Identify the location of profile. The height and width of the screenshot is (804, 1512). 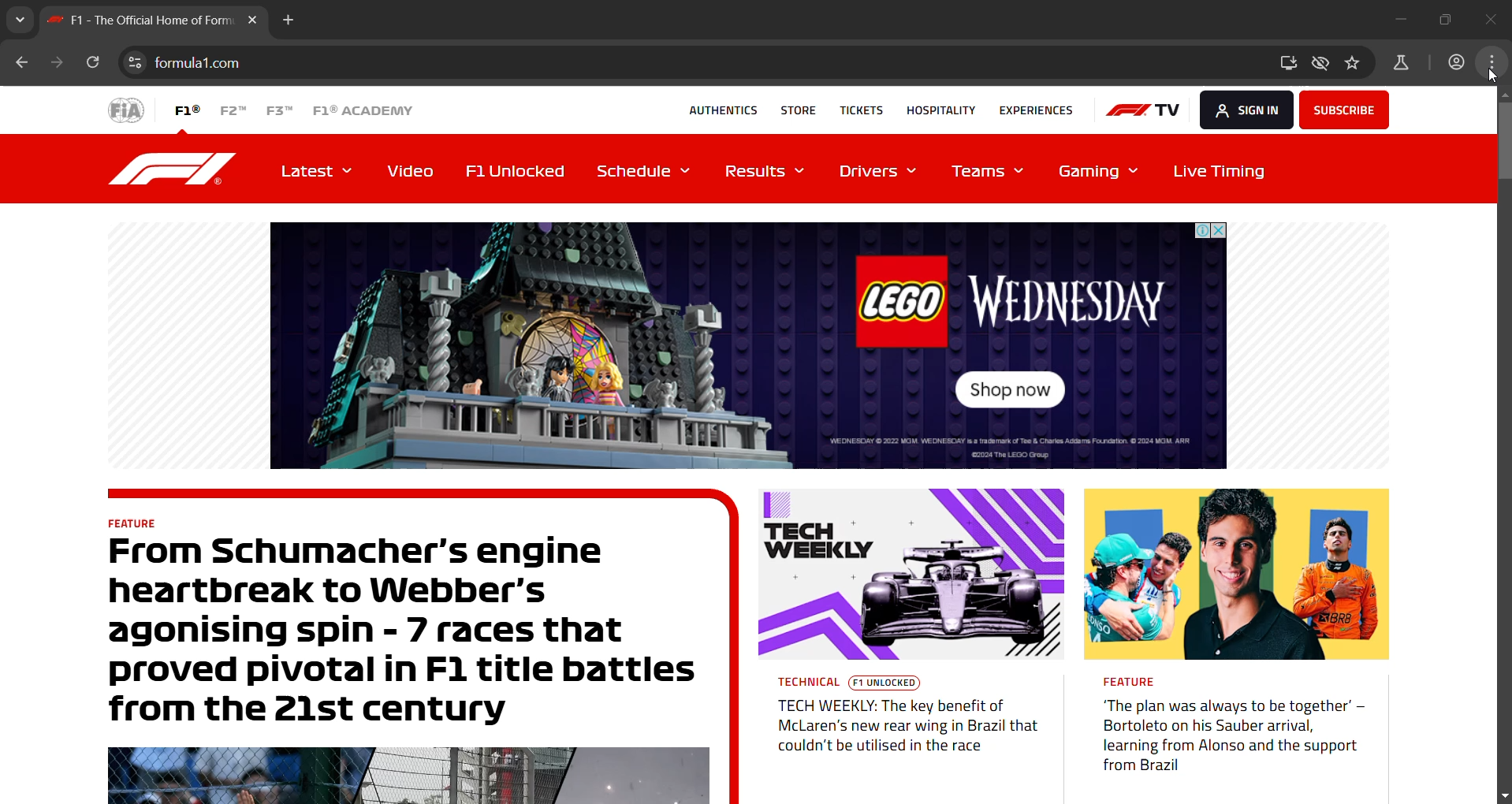
(1460, 63).